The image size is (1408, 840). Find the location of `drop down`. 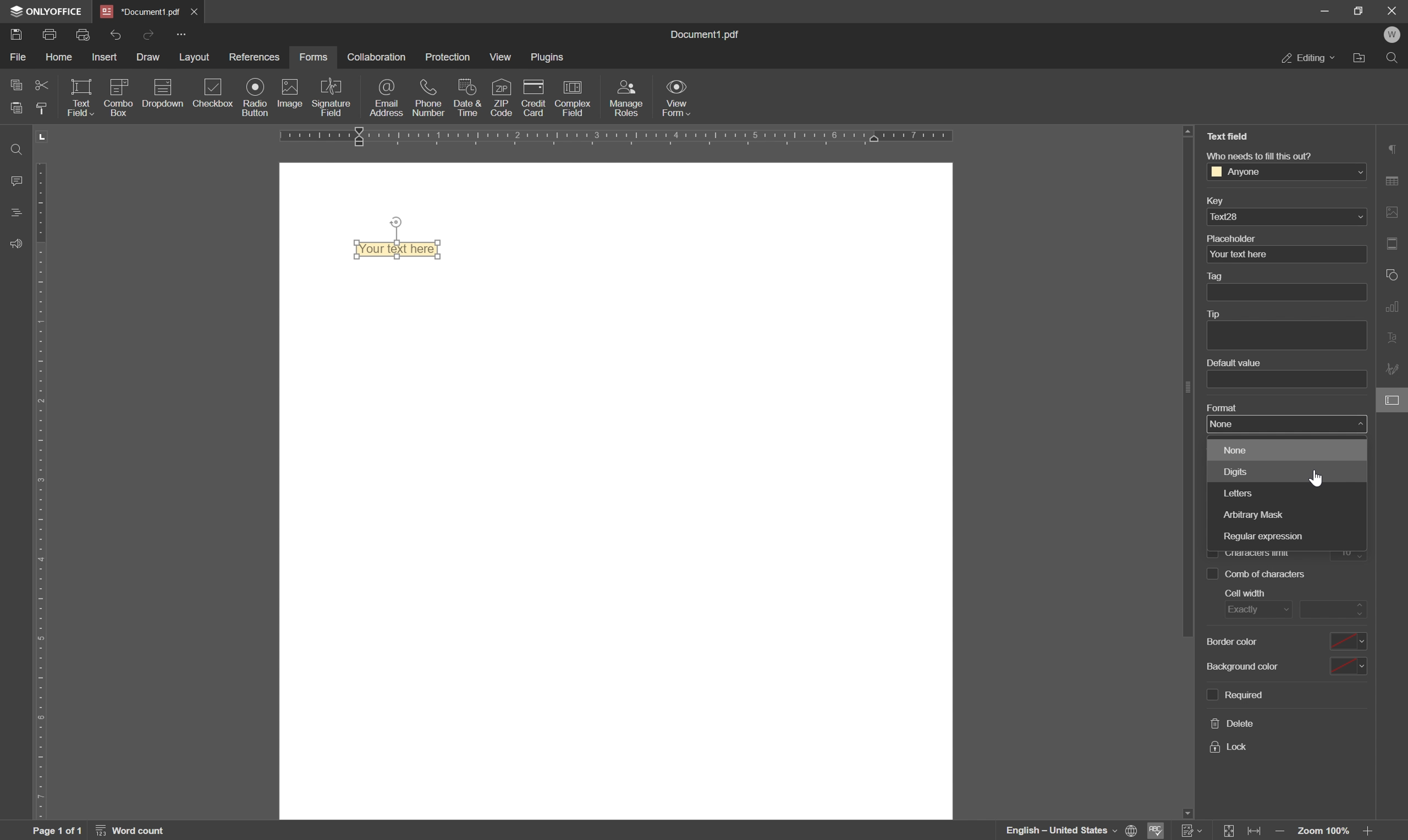

drop down is located at coordinates (1349, 642).